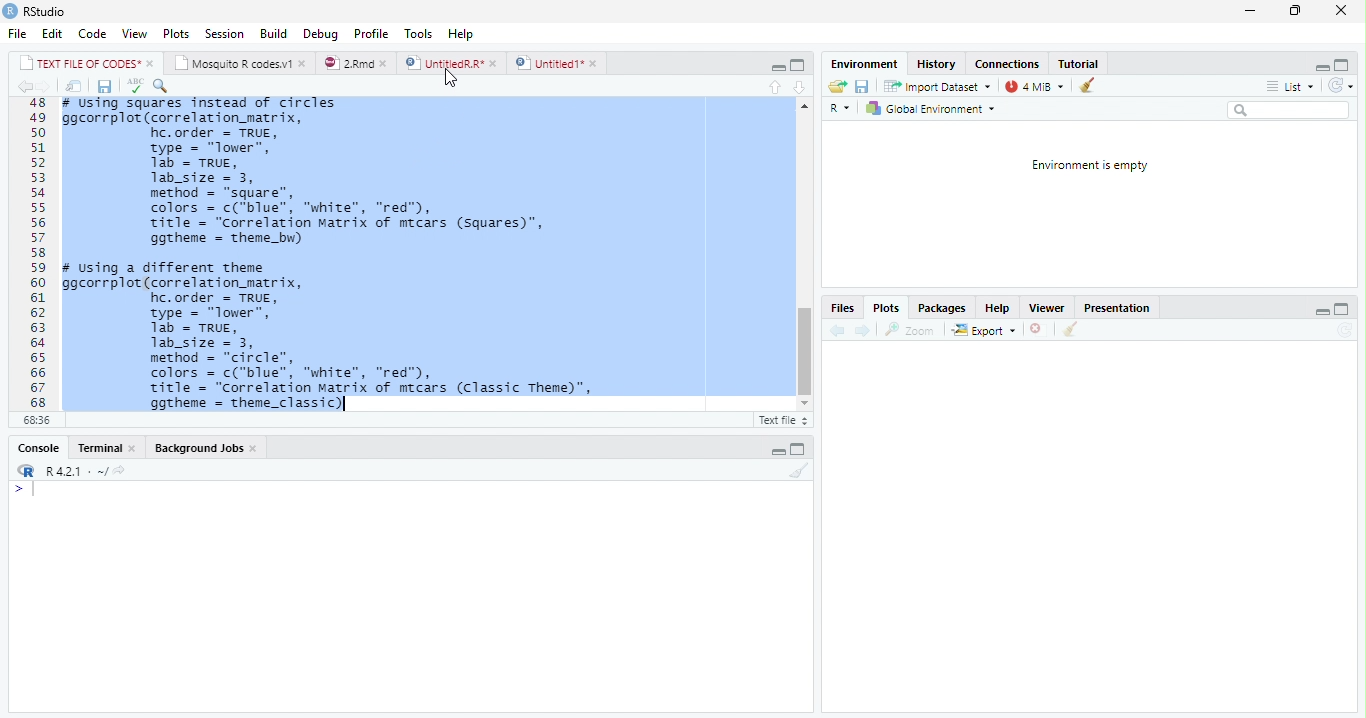  Describe the element at coordinates (1089, 166) in the screenshot. I see `Environment is empty` at that location.